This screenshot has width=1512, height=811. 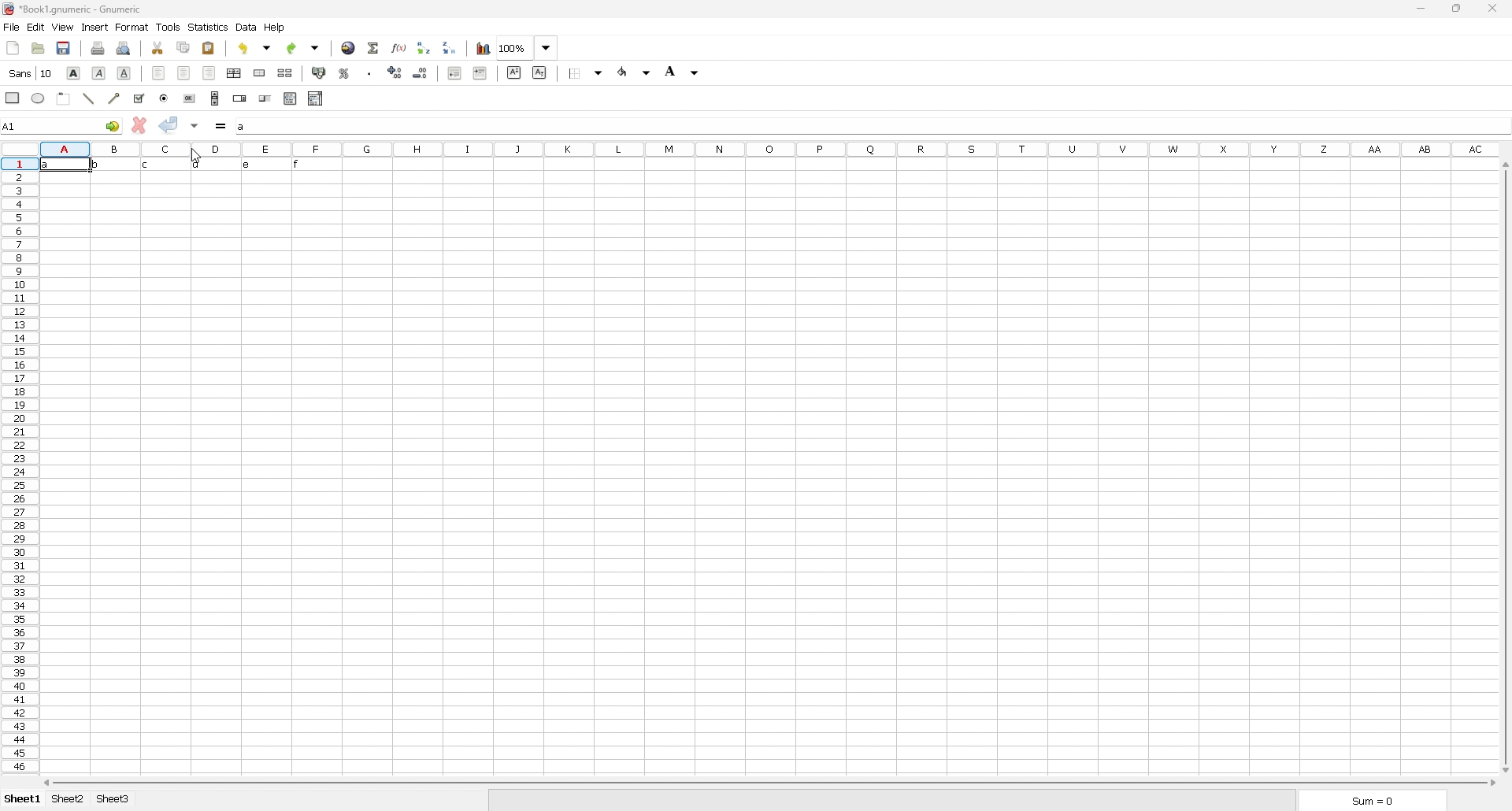 What do you see at coordinates (528, 48) in the screenshot?
I see `zoom` at bounding box center [528, 48].